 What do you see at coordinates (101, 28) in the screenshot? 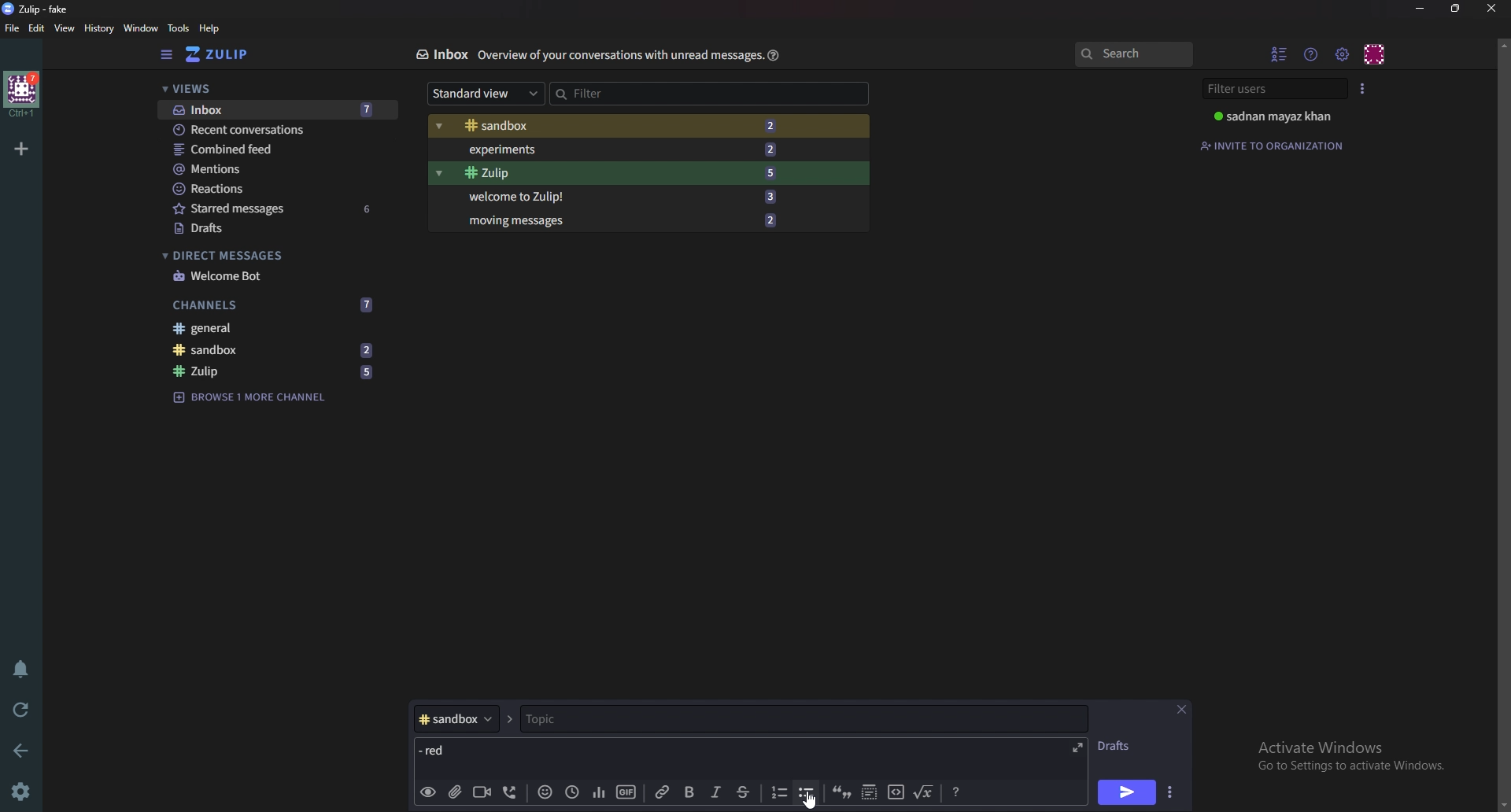
I see `History` at bounding box center [101, 28].